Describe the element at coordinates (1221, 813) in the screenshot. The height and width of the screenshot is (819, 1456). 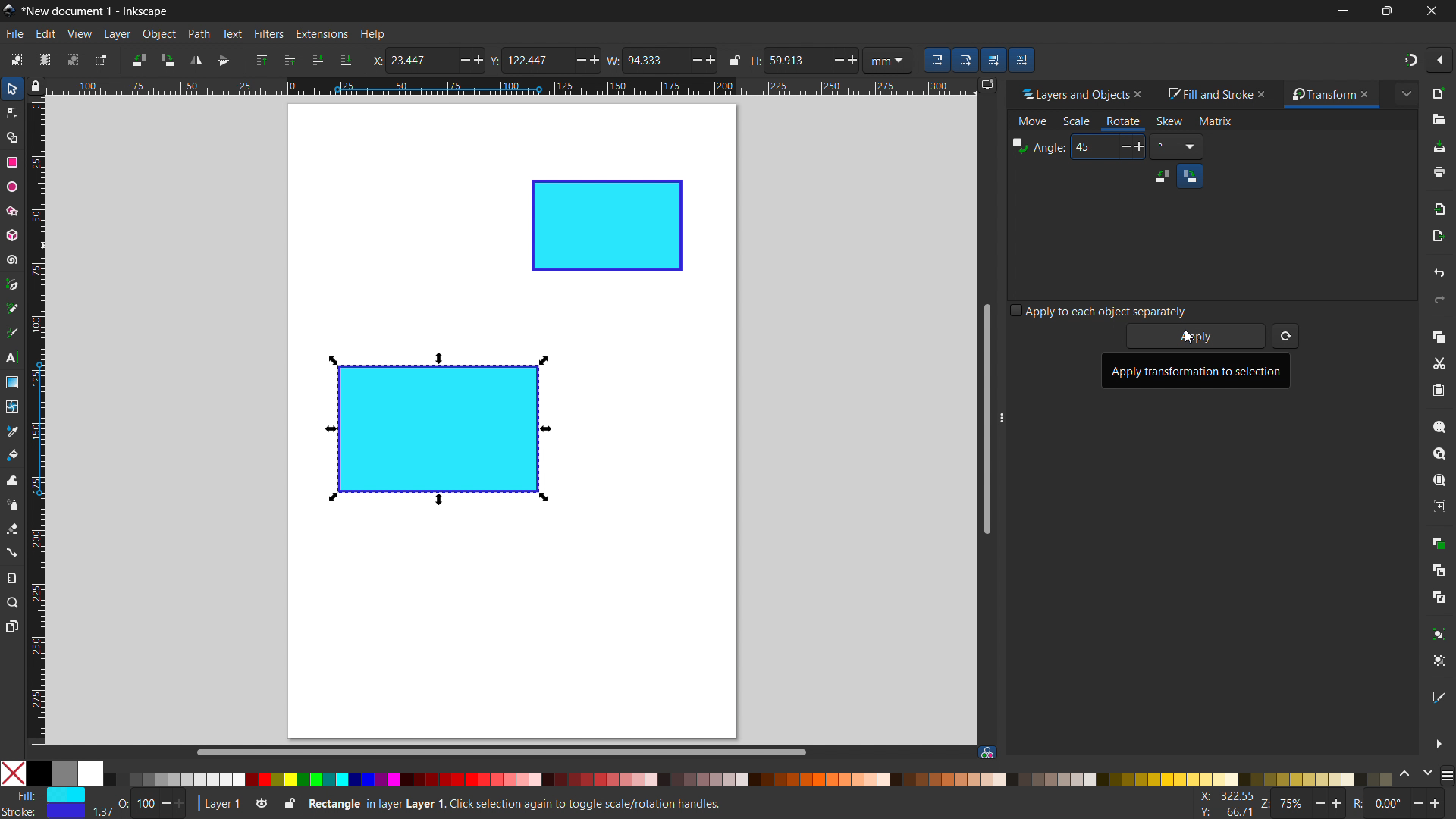
I see `Y: 160.93` at that location.